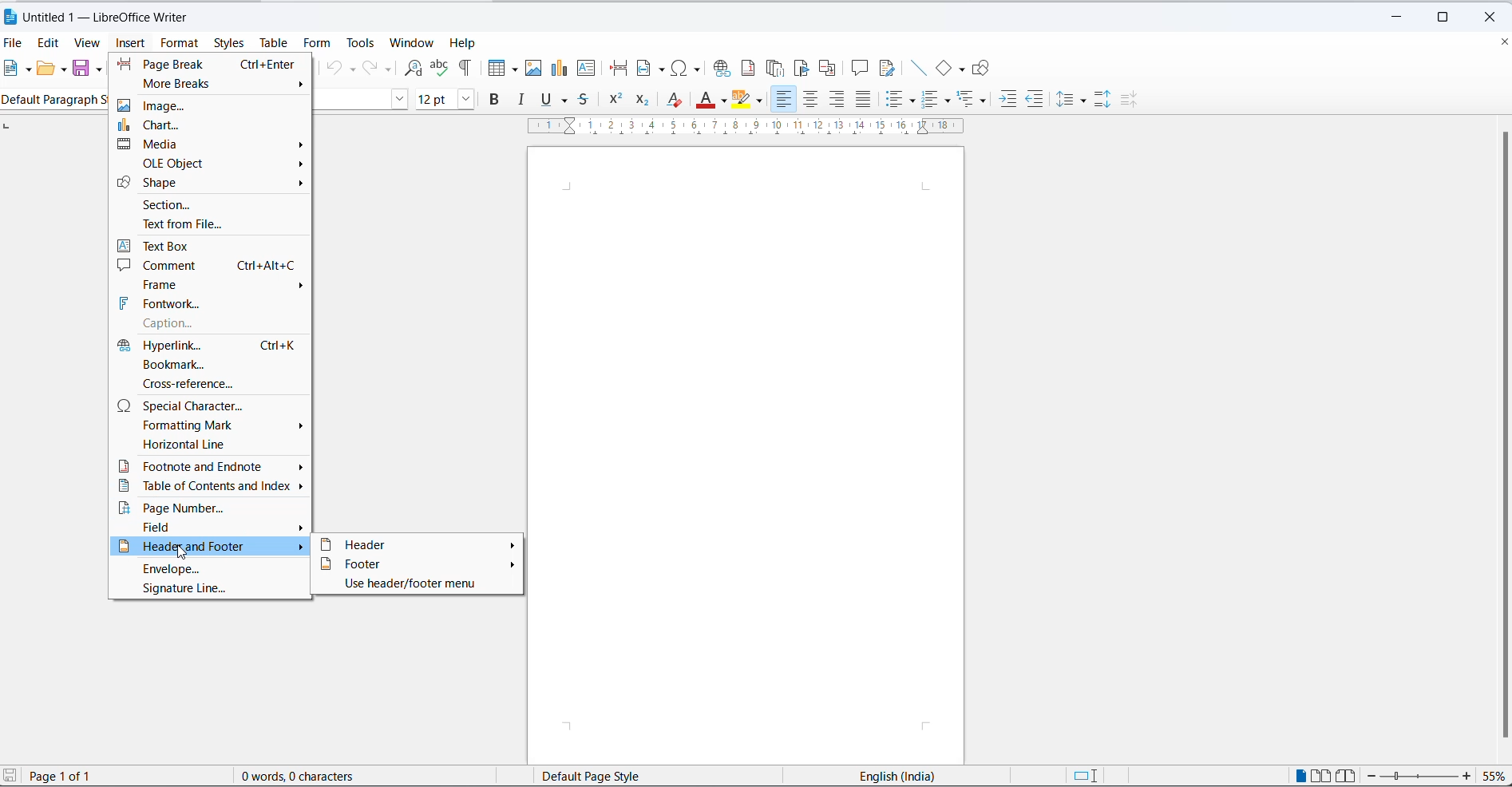  What do you see at coordinates (513, 69) in the screenshot?
I see `table grid` at bounding box center [513, 69].